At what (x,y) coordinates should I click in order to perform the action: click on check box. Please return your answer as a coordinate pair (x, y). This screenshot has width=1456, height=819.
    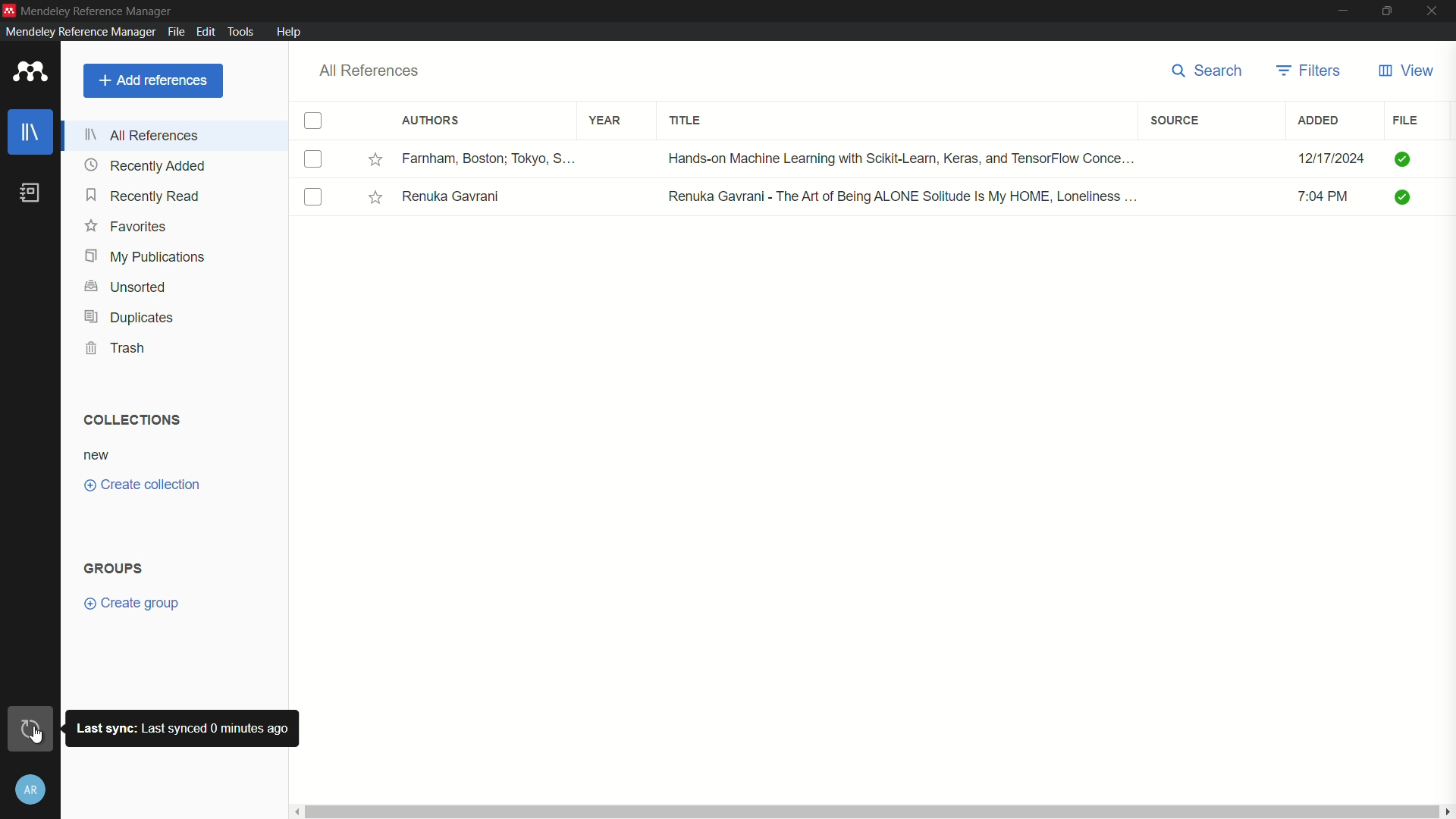
    Looking at the image, I should click on (313, 120).